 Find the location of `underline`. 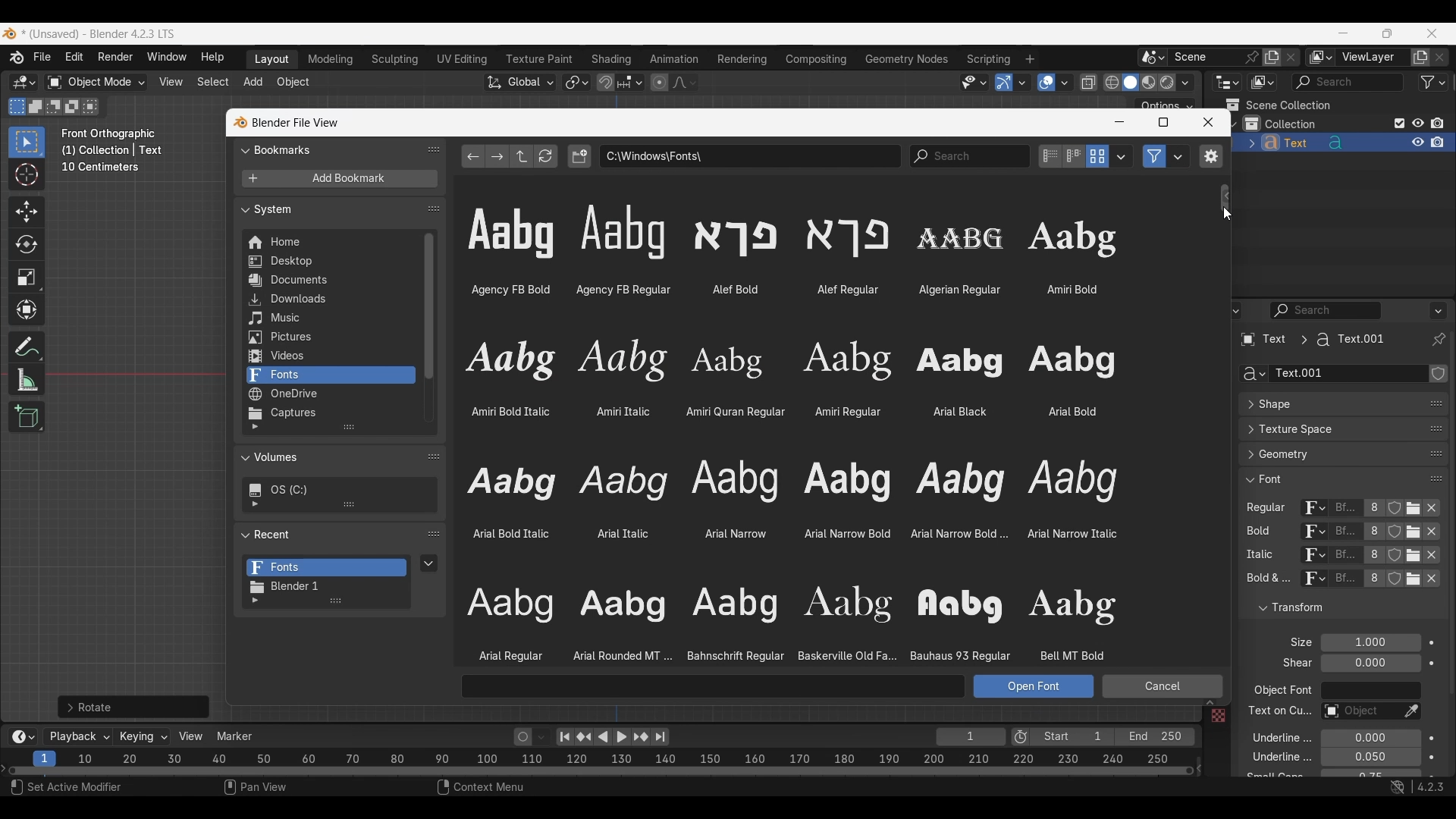

underline is located at coordinates (1269, 759).